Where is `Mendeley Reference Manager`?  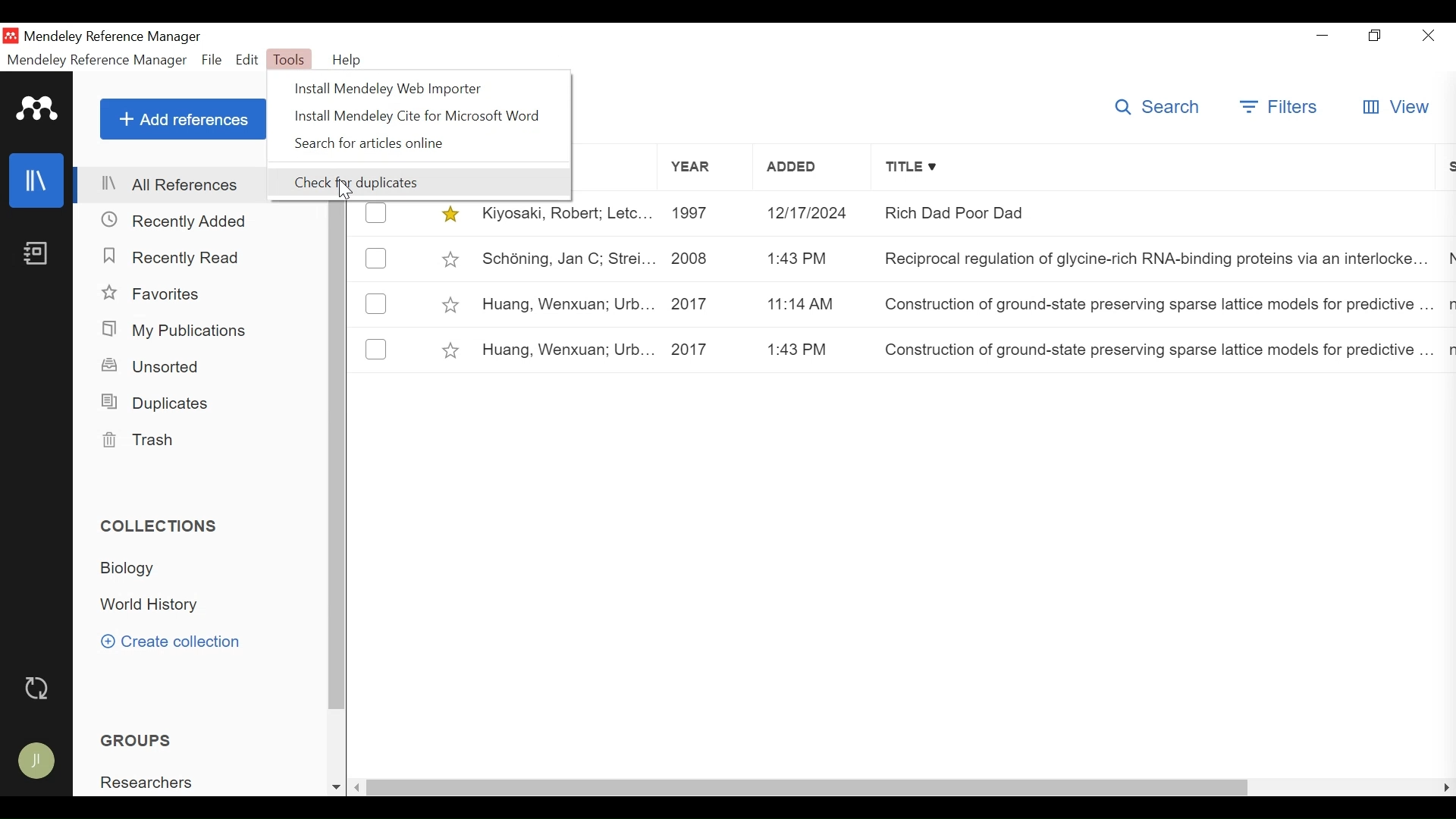
Mendeley Reference Manager is located at coordinates (98, 61).